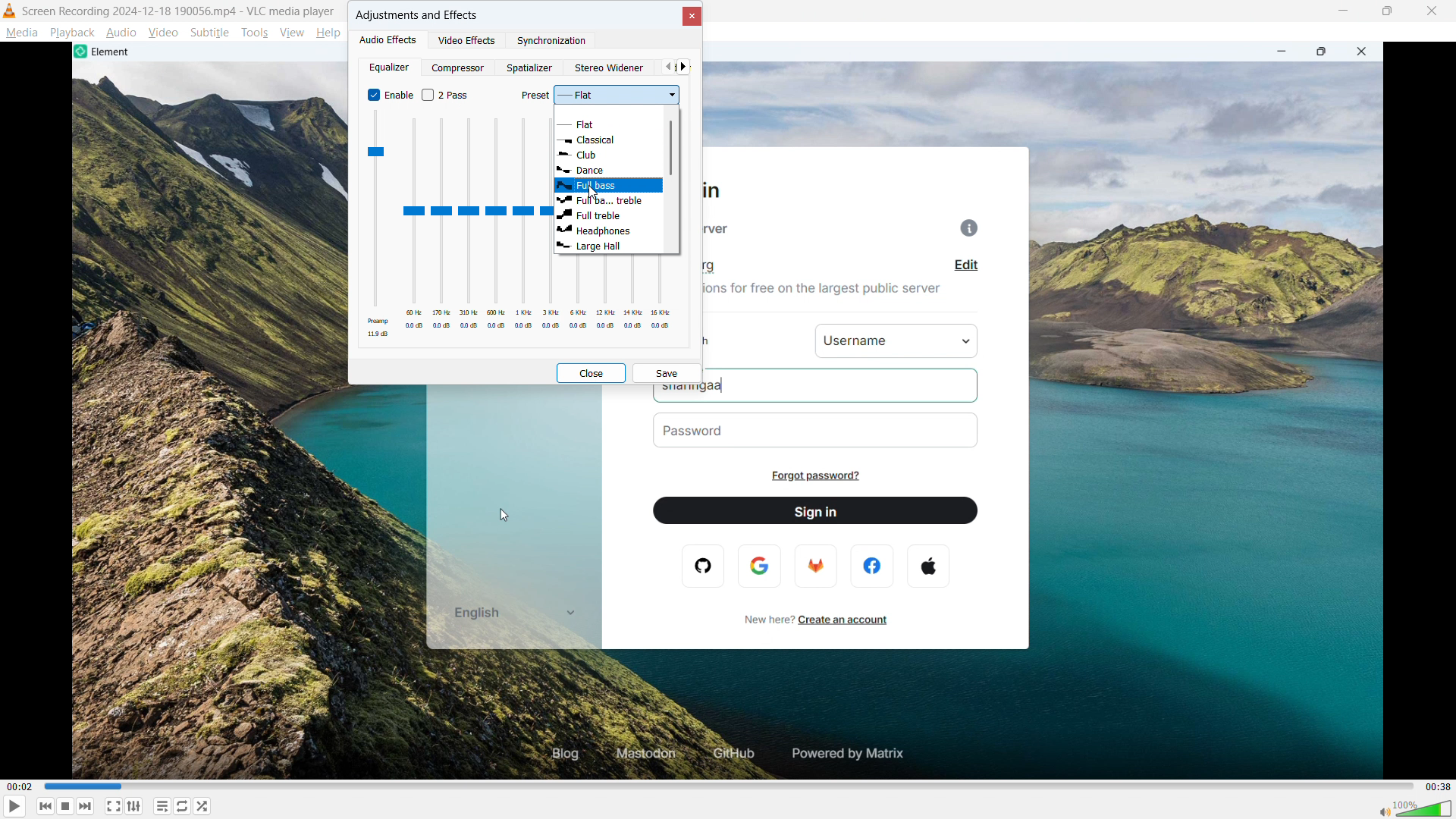  Describe the element at coordinates (610, 246) in the screenshot. I see `Large hall ` at that location.